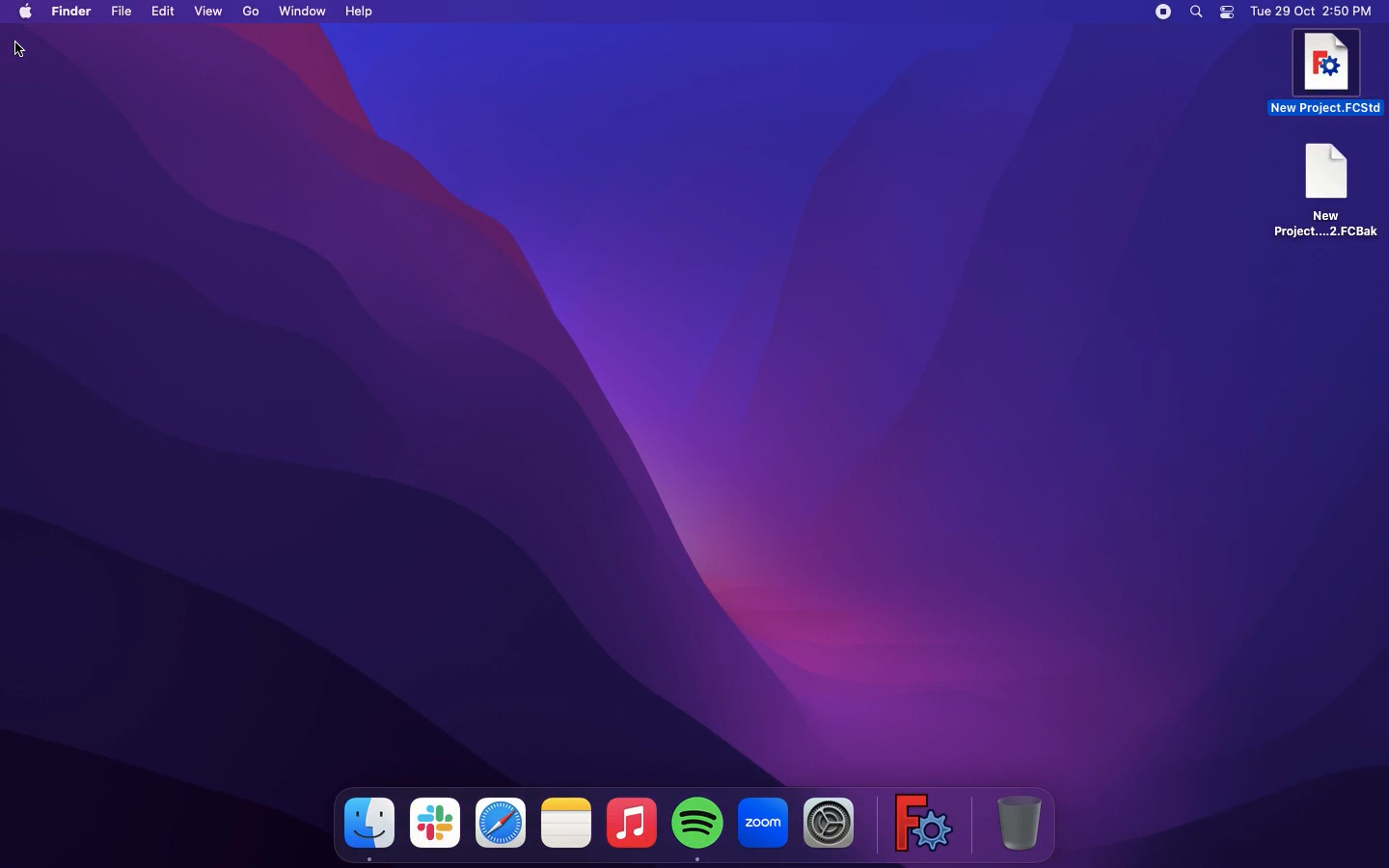 This screenshot has width=1389, height=868. Describe the element at coordinates (71, 12) in the screenshot. I see `Finder` at that location.